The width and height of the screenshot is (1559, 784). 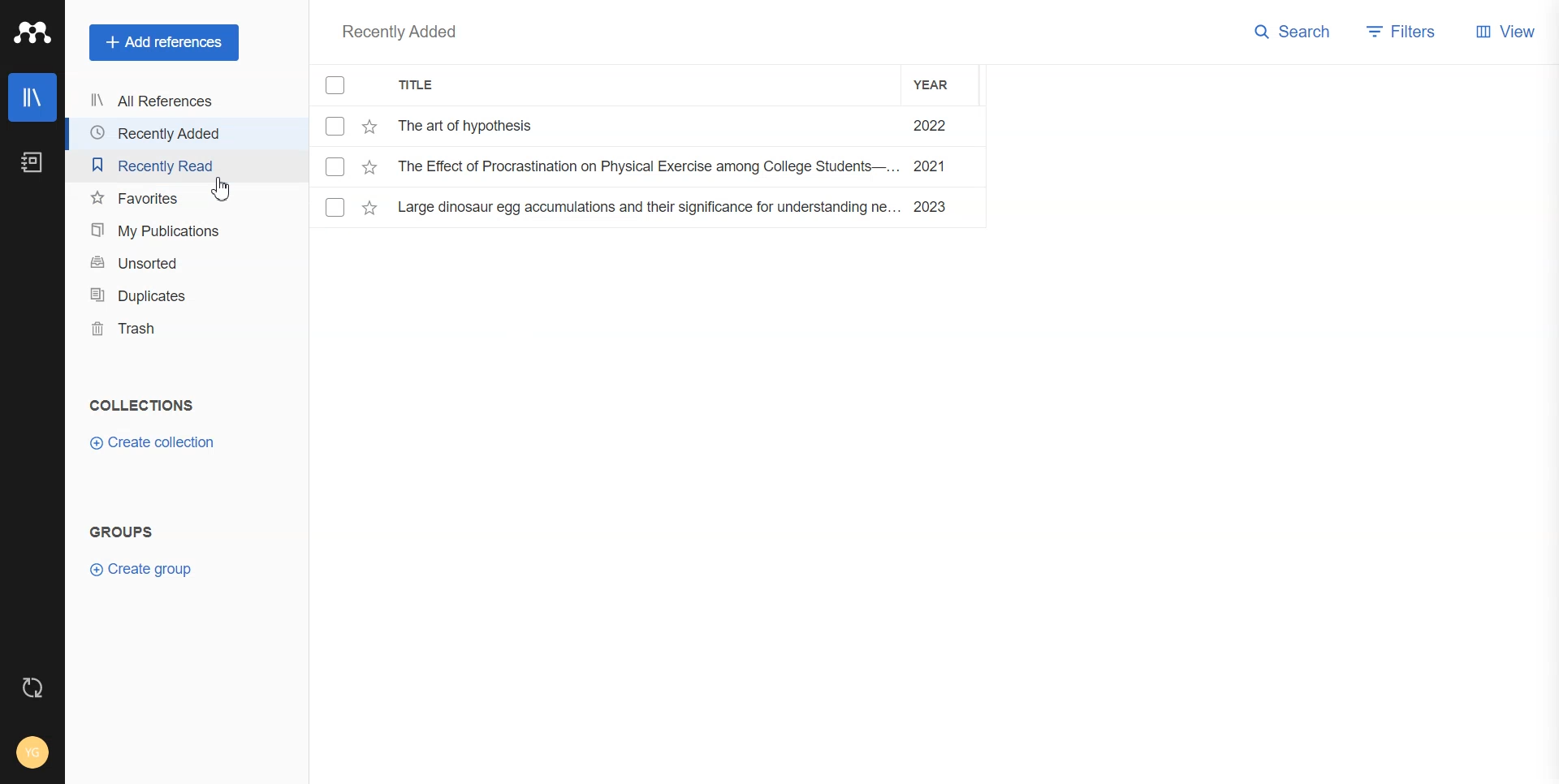 I want to click on Text, so click(x=140, y=406).